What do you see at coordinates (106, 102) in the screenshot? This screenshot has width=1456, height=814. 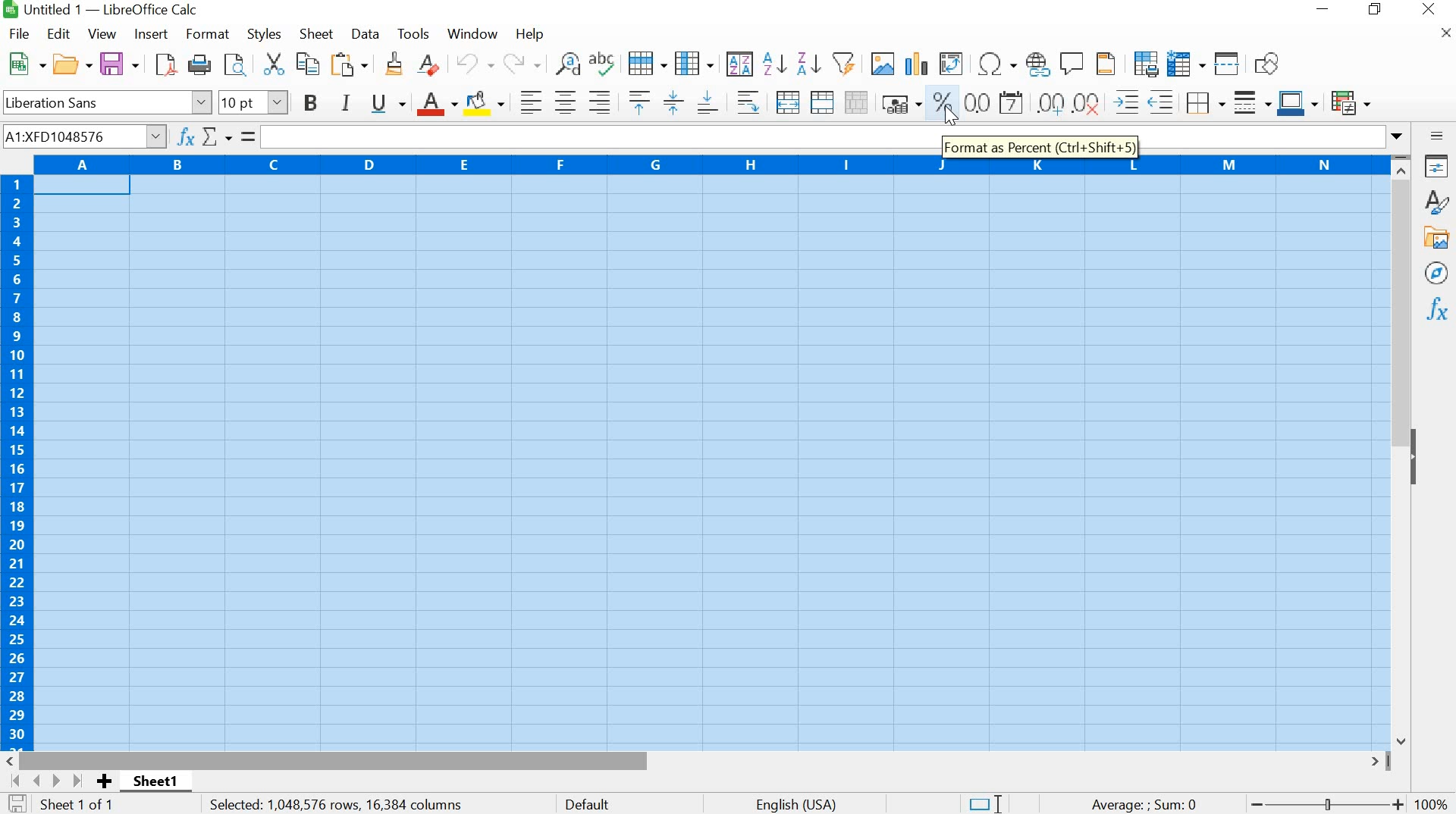 I see `Liberation Sans` at bounding box center [106, 102].